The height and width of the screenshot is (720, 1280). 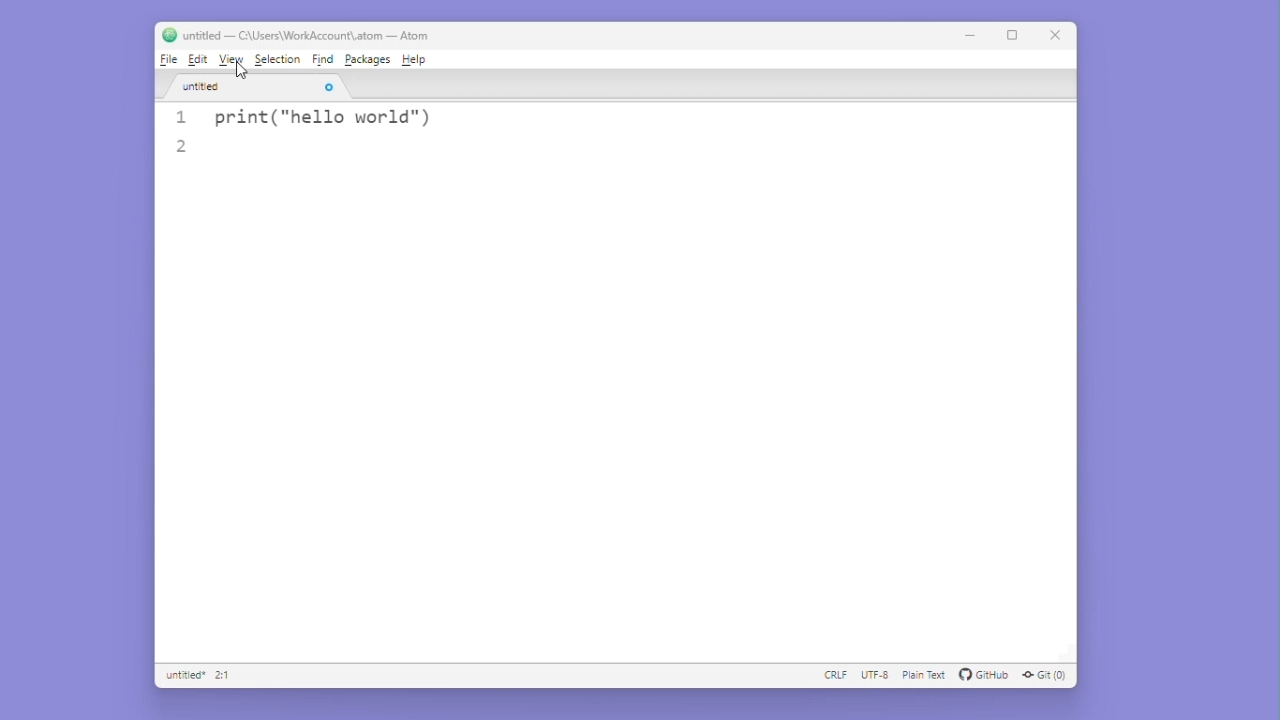 I want to click on file, so click(x=168, y=59).